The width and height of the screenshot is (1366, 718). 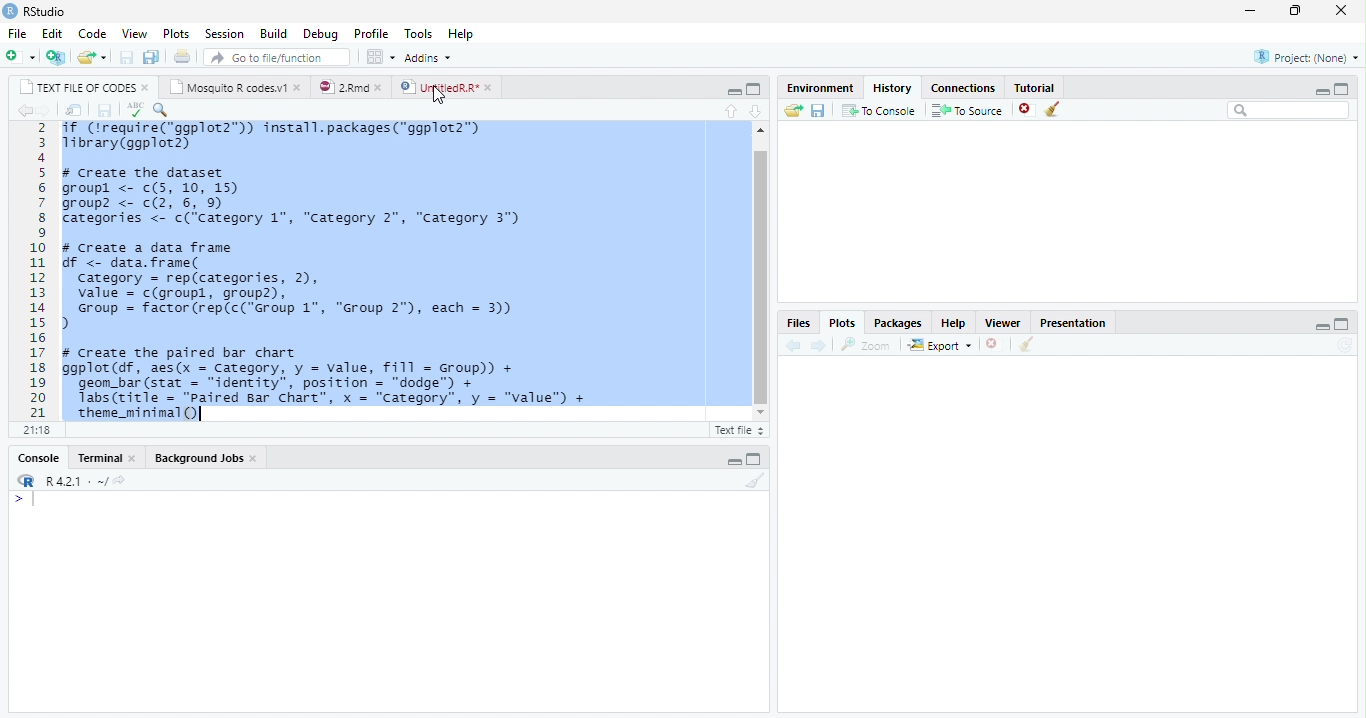 What do you see at coordinates (1056, 111) in the screenshot?
I see `clean` at bounding box center [1056, 111].